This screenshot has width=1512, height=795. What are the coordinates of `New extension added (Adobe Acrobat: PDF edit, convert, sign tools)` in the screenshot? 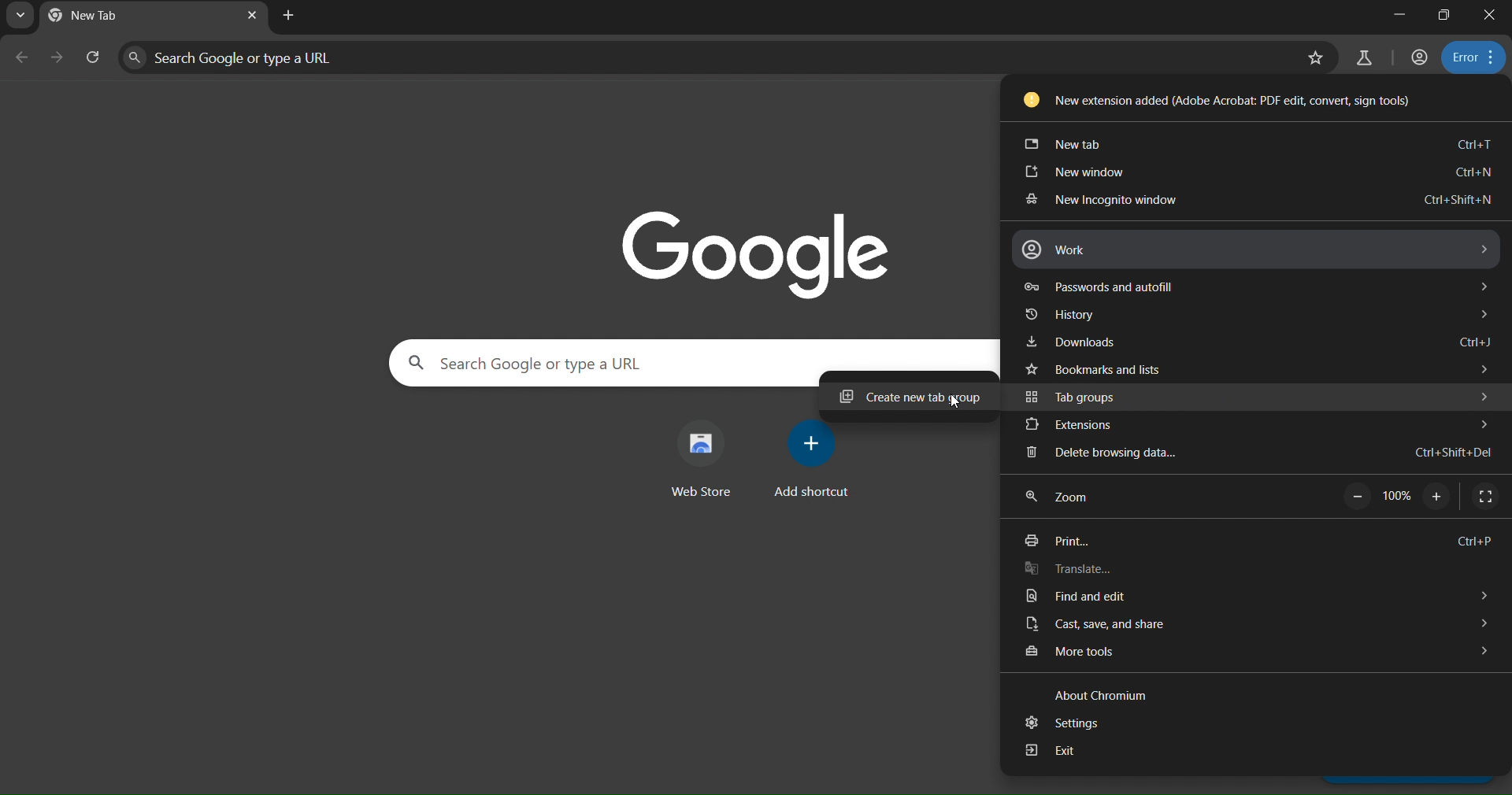 It's located at (1218, 100).